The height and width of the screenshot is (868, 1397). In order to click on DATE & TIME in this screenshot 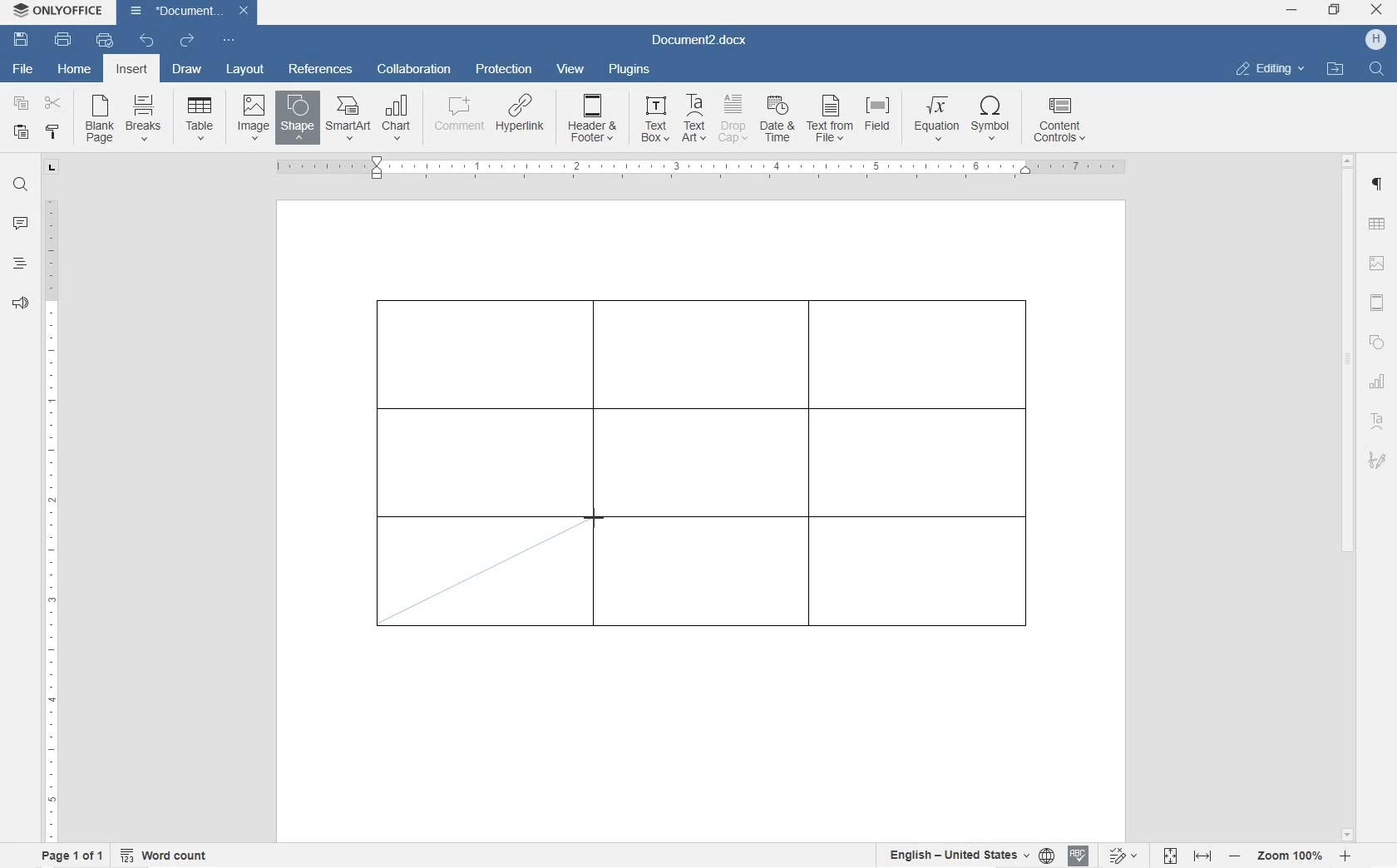, I will do `click(780, 121)`.